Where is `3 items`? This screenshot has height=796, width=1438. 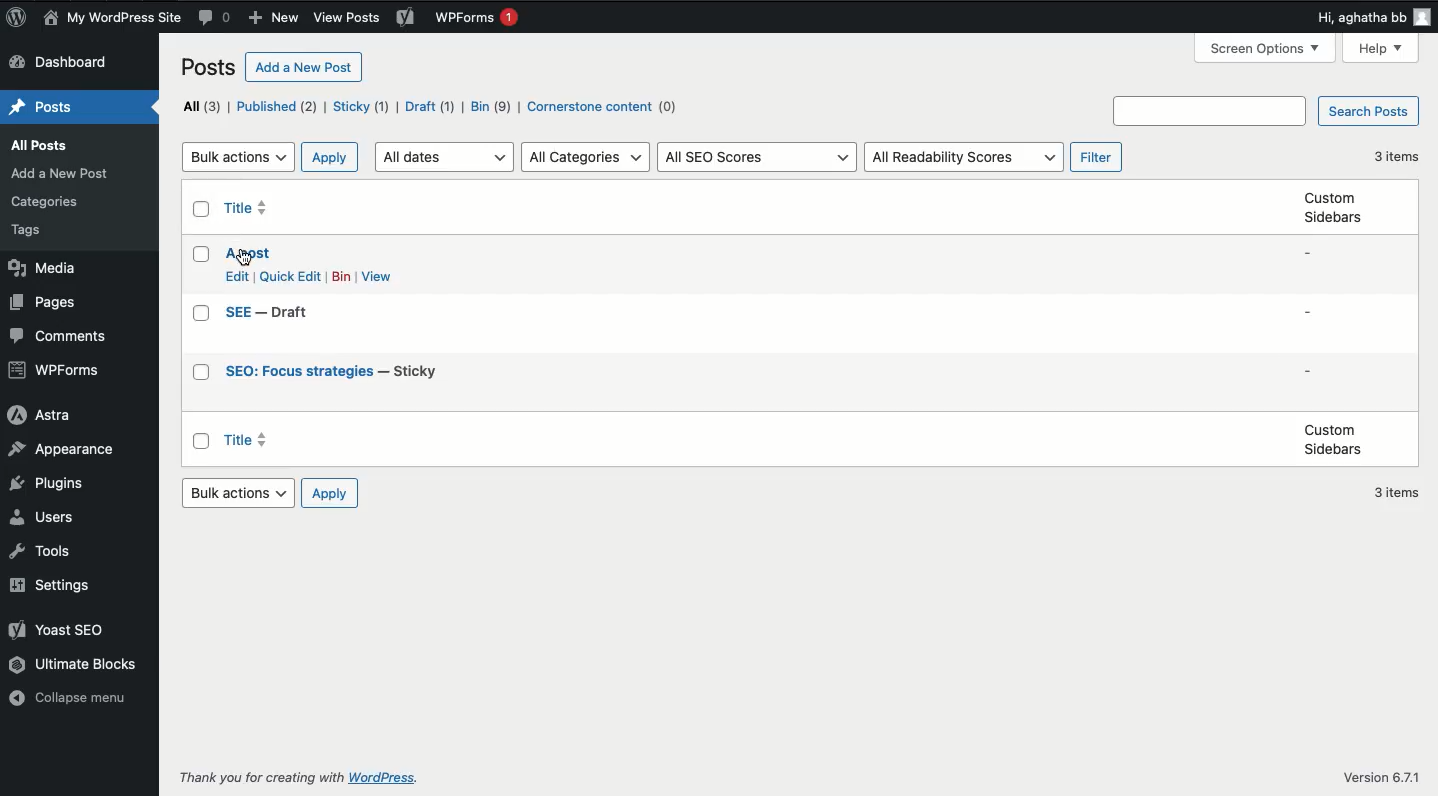 3 items is located at coordinates (1397, 492).